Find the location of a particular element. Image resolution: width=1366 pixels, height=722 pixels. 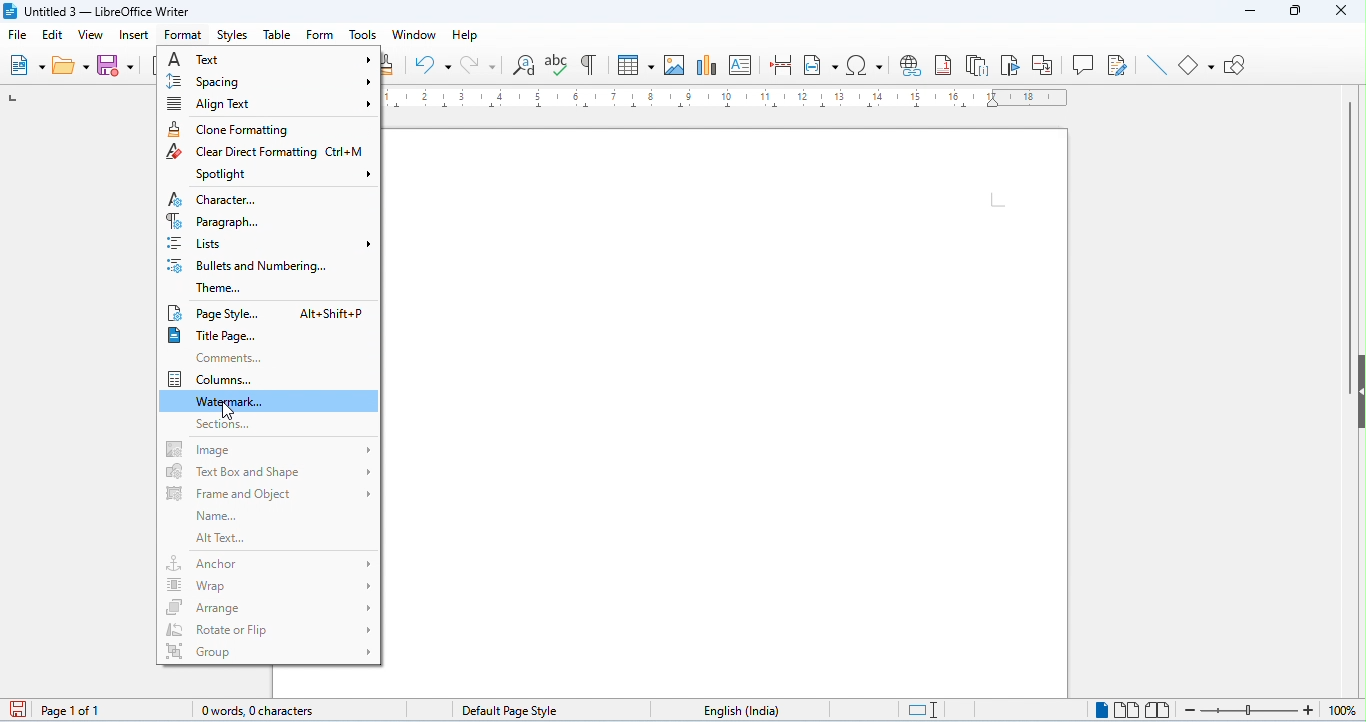

insert comment is located at coordinates (1084, 64).